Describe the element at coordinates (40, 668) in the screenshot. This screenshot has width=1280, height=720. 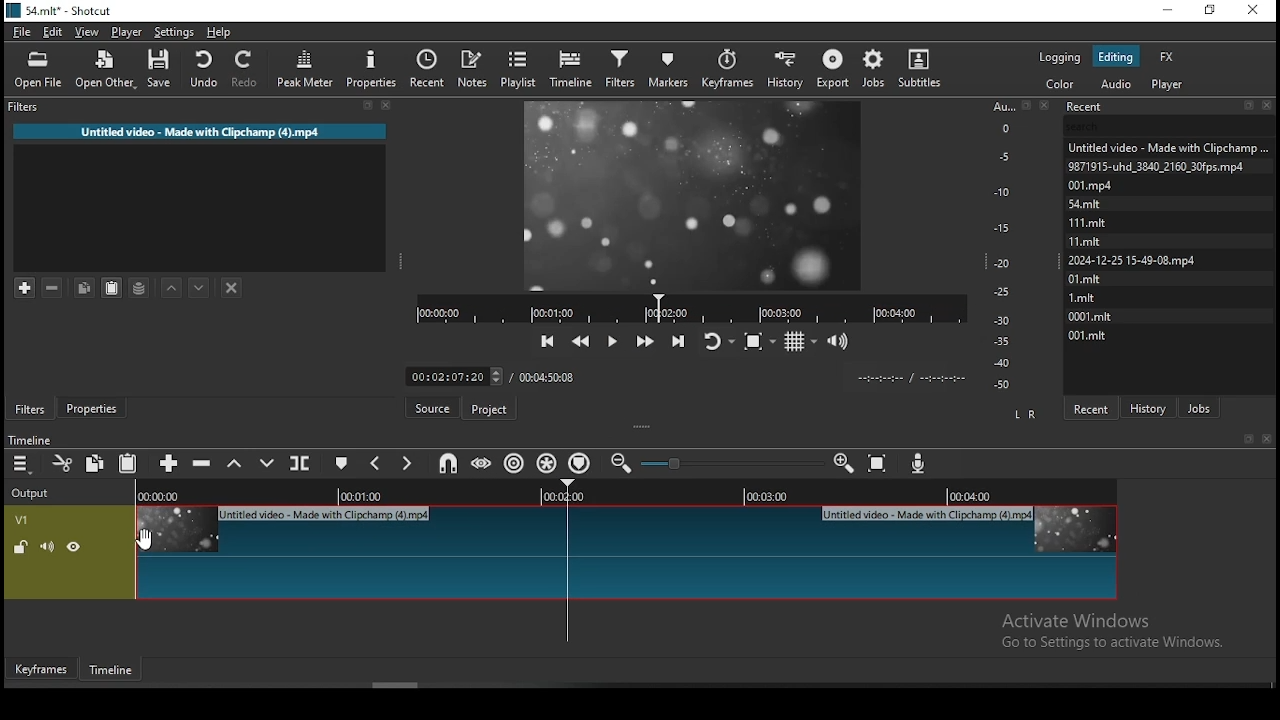
I see `keyframe` at that location.